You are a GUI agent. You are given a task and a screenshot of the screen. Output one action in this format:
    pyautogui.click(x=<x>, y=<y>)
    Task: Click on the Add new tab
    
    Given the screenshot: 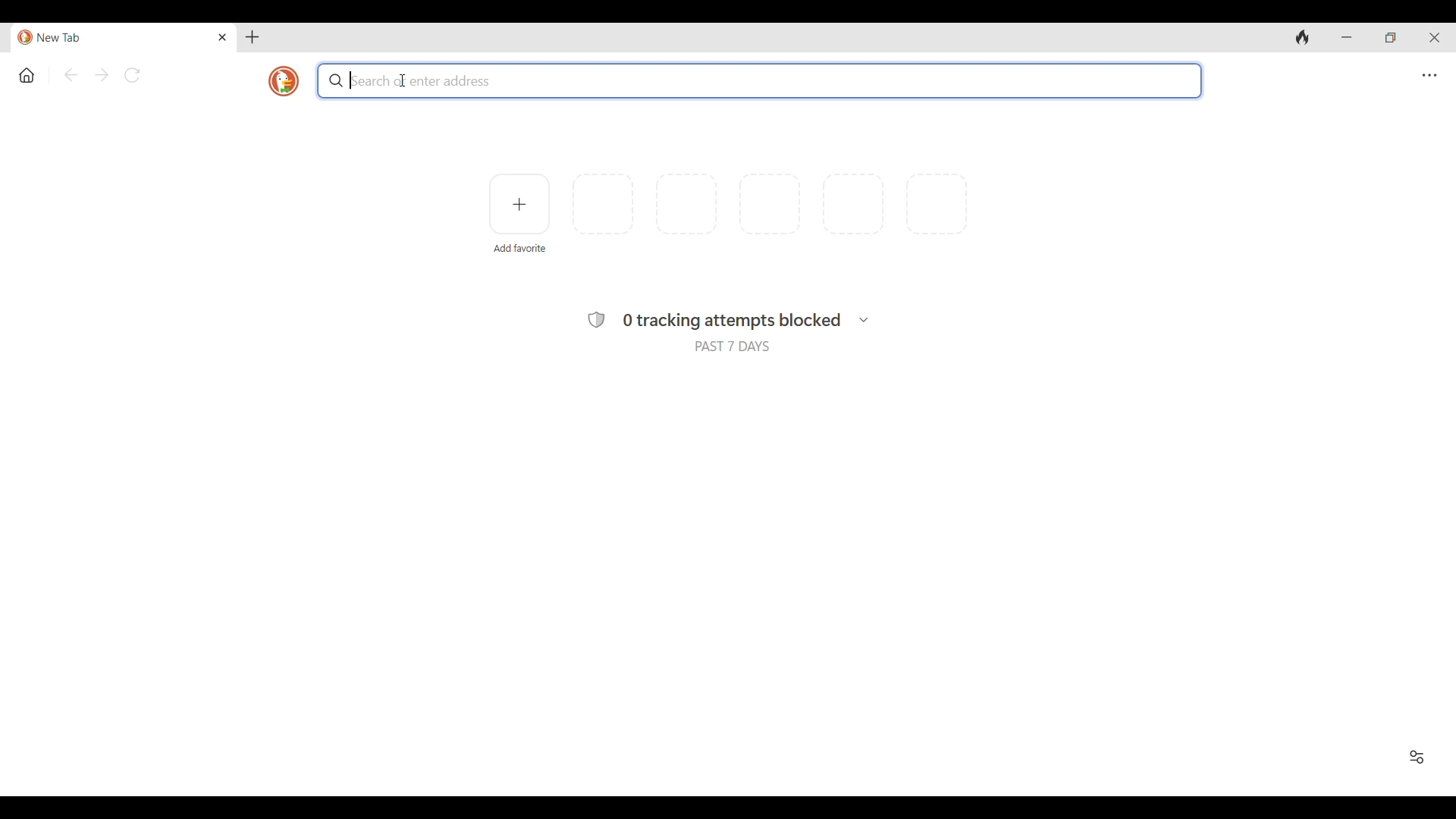 What is the action you would take?
    pyautogui.click(x=252, y=37)
    